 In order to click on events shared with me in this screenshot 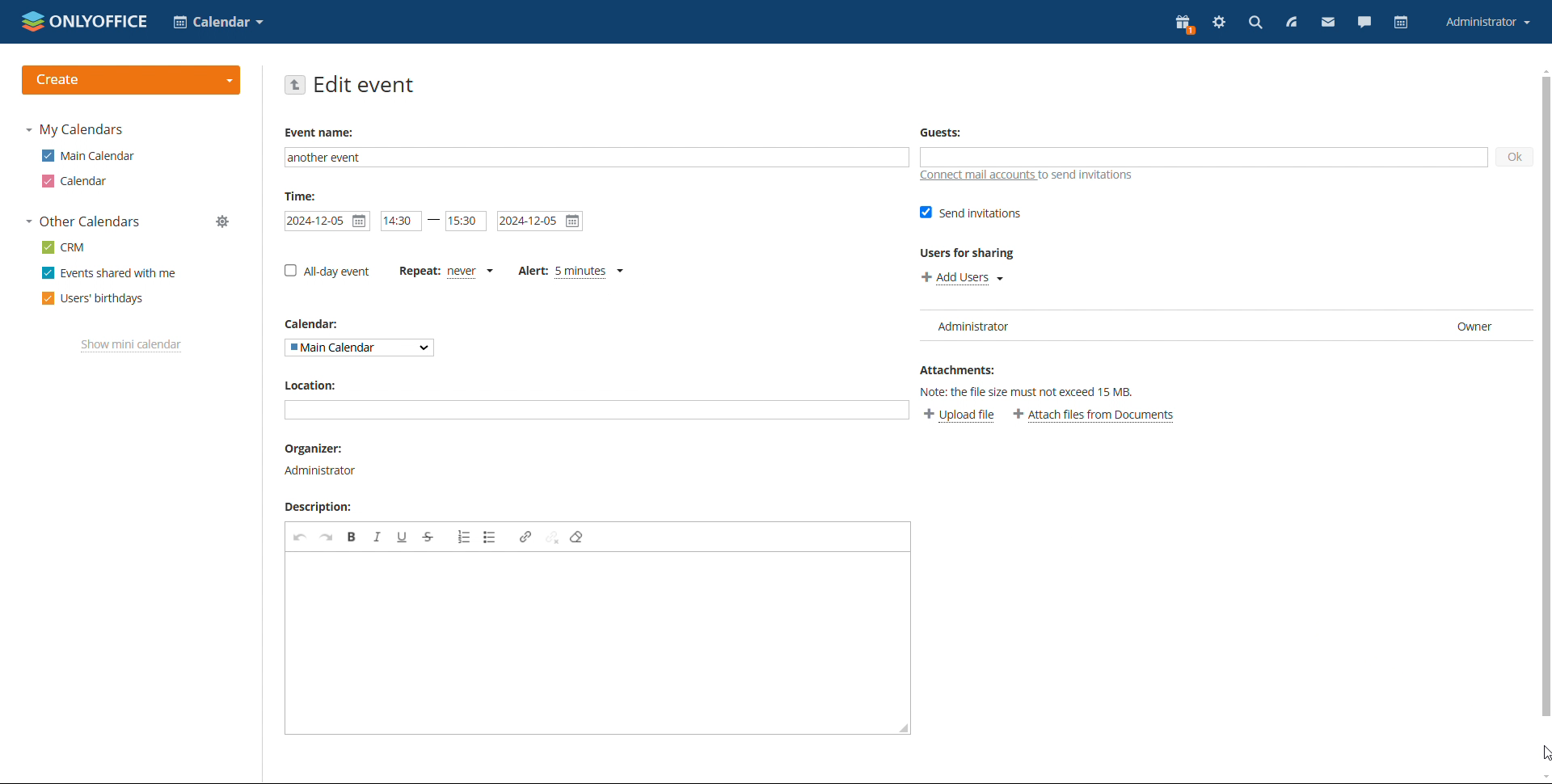, I will do `click(109, 273)`.